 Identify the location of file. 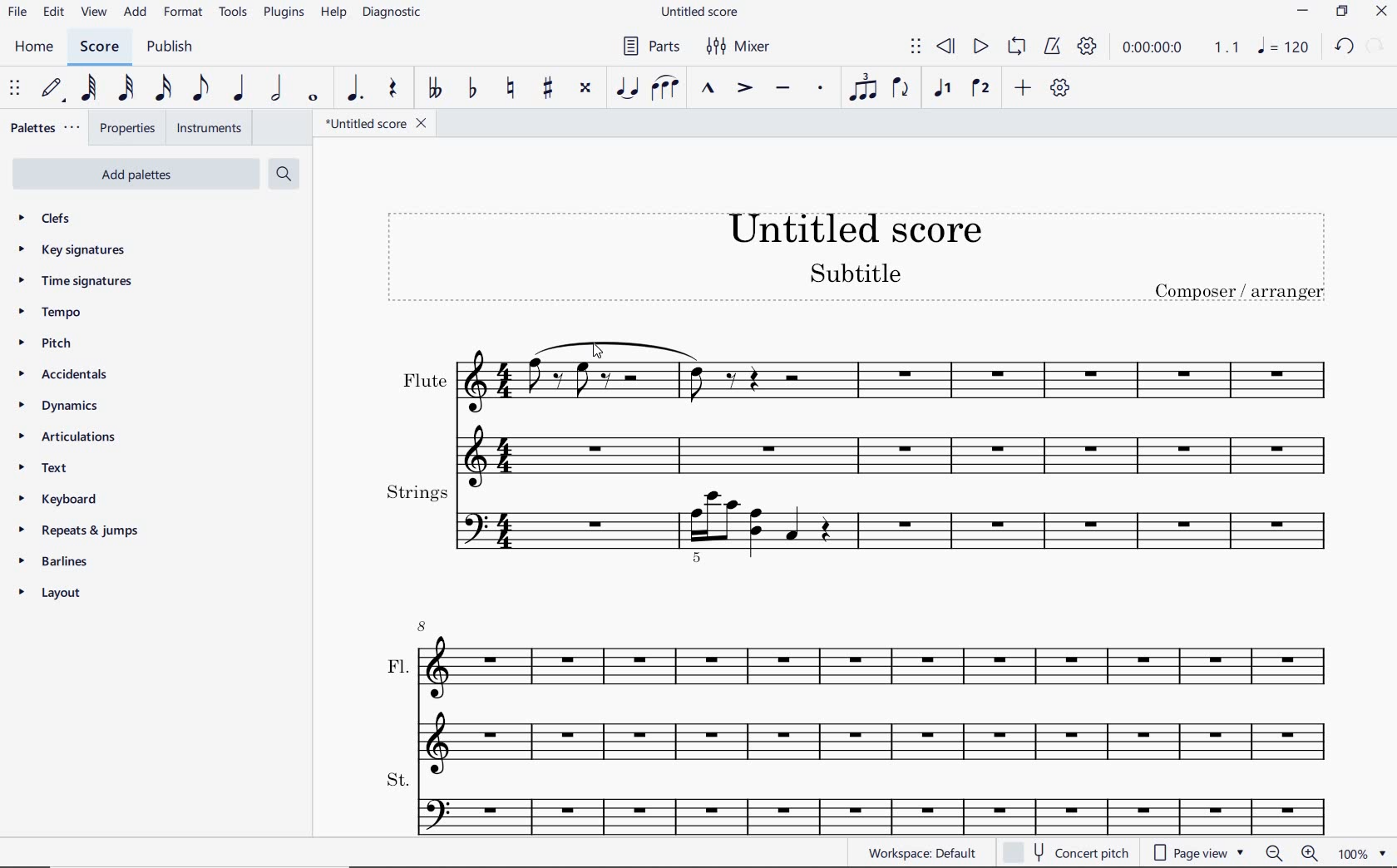
(21, 12).